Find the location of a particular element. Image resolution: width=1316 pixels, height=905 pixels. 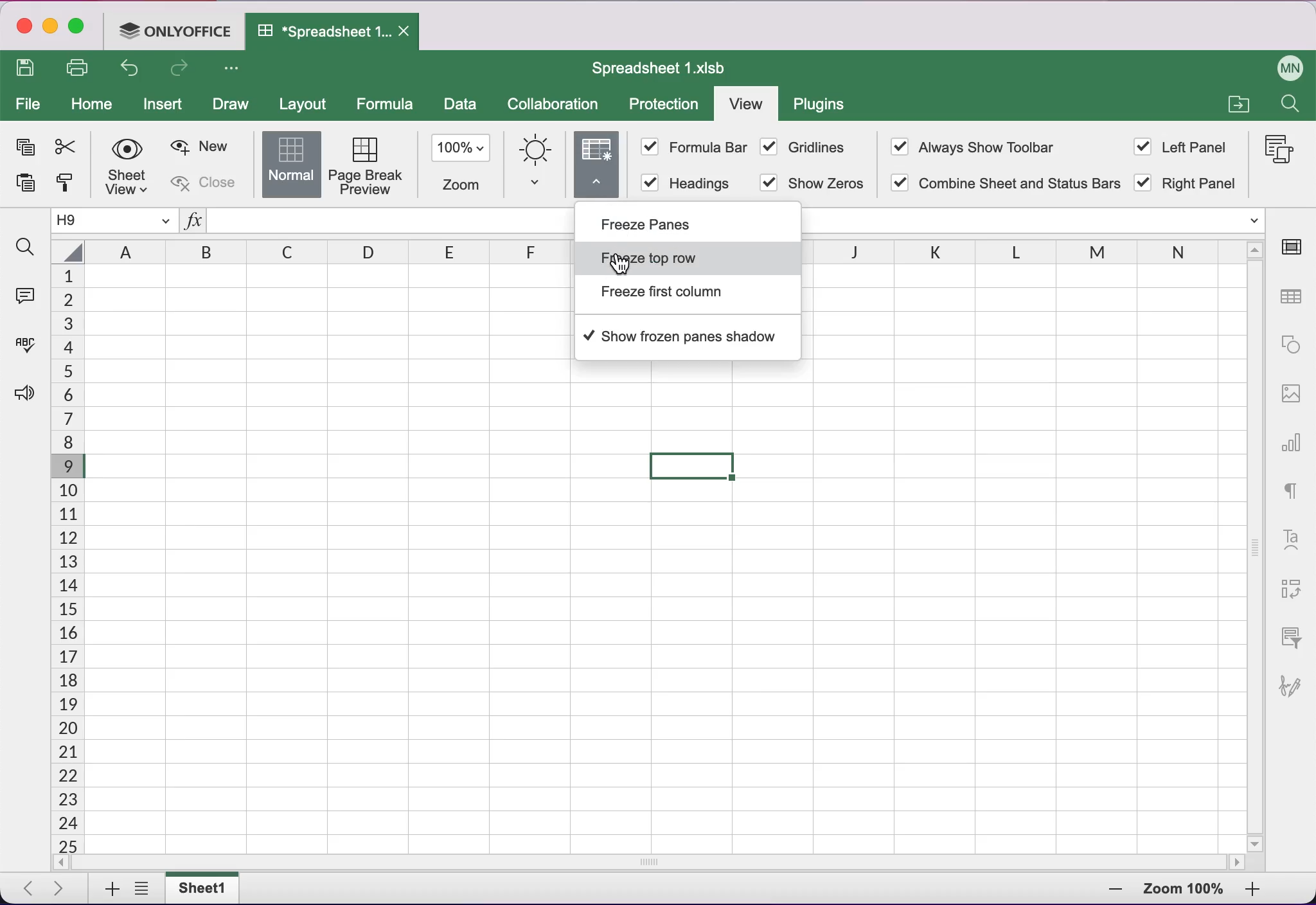

list all tabs is located at coordinates (142, 889).